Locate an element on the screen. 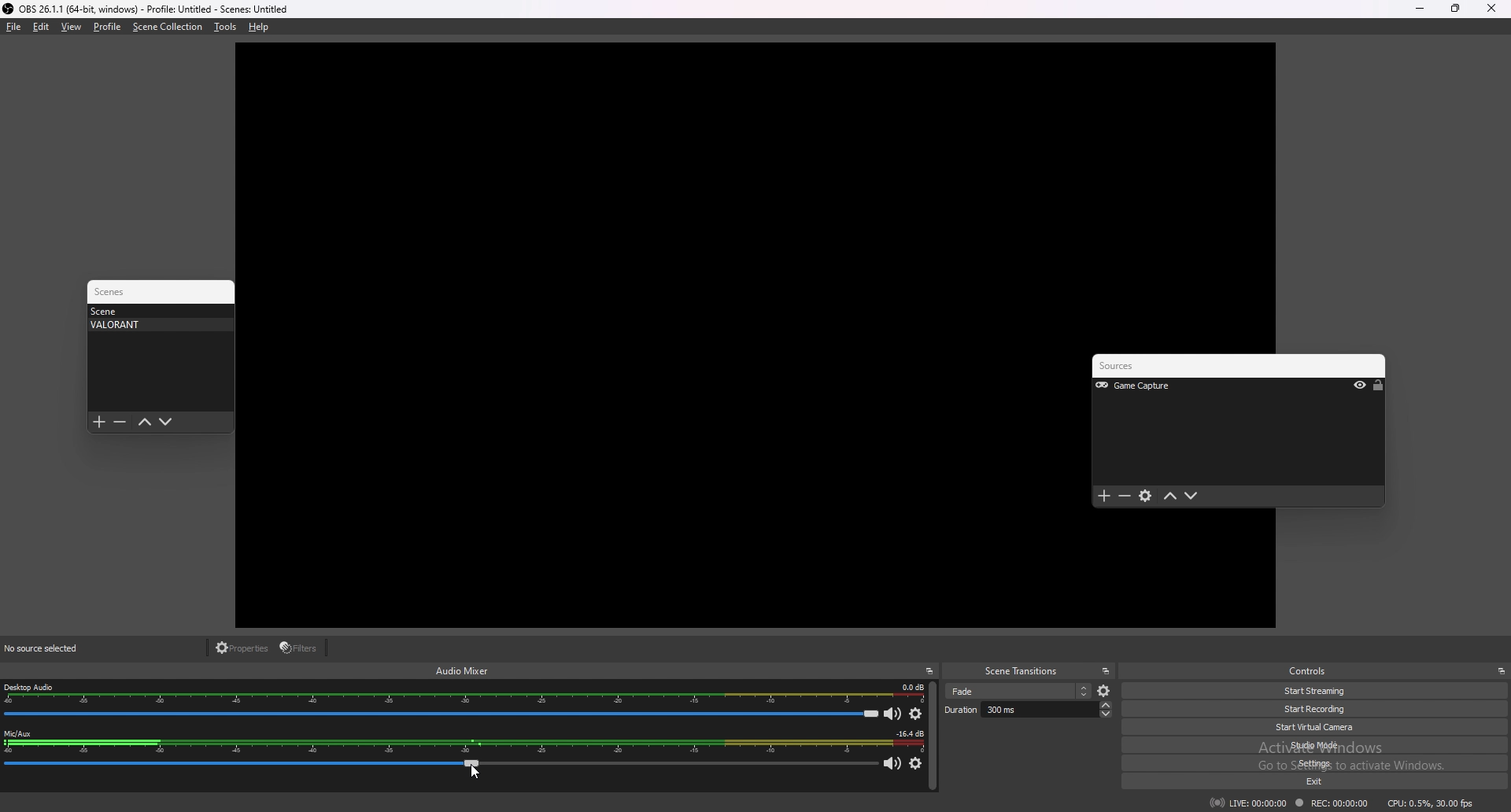 The height and width of the screenshot is (812, 1511). sources is located at coordinates (1136, 367).